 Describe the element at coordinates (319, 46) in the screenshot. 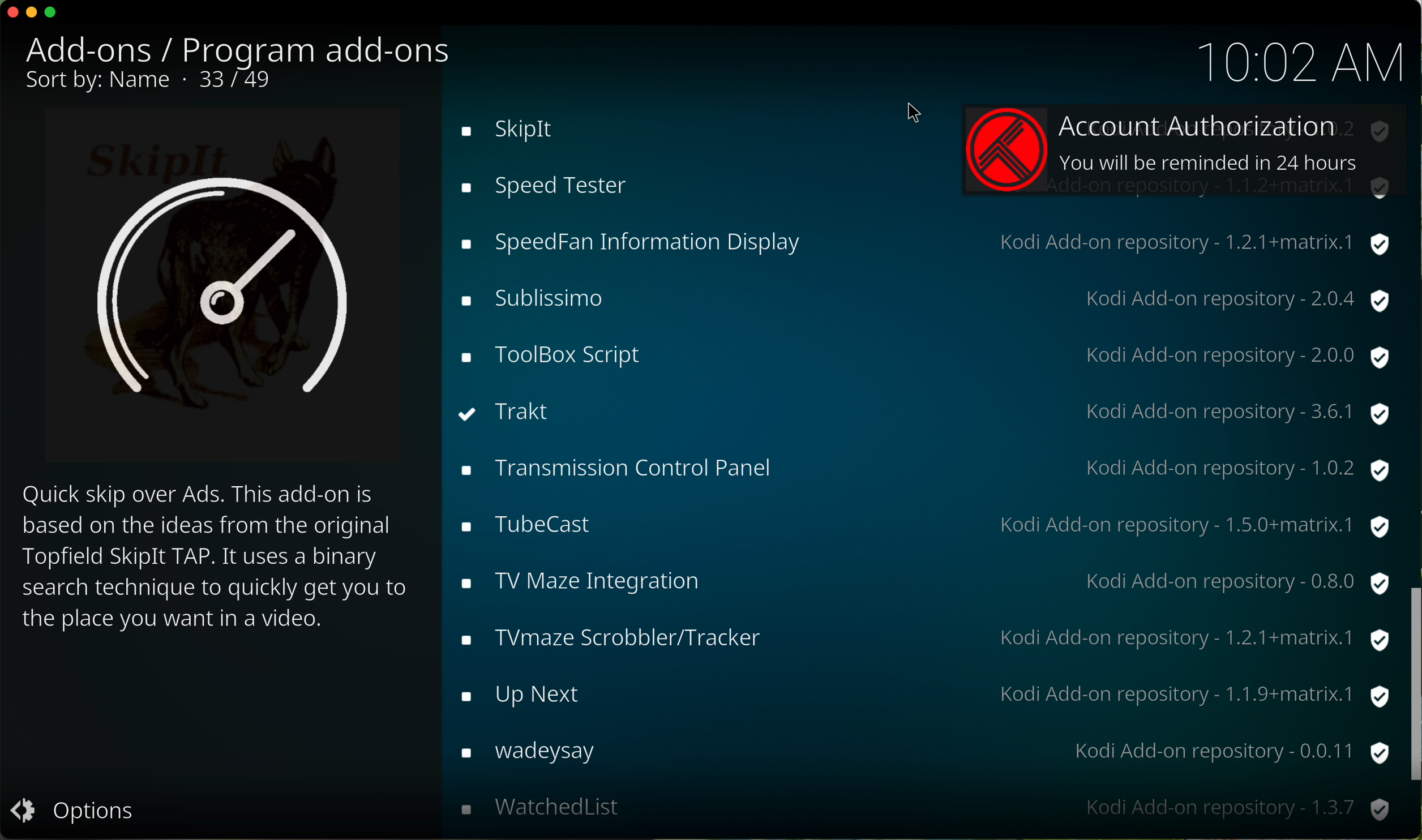

I see `program add-ons` at that location.